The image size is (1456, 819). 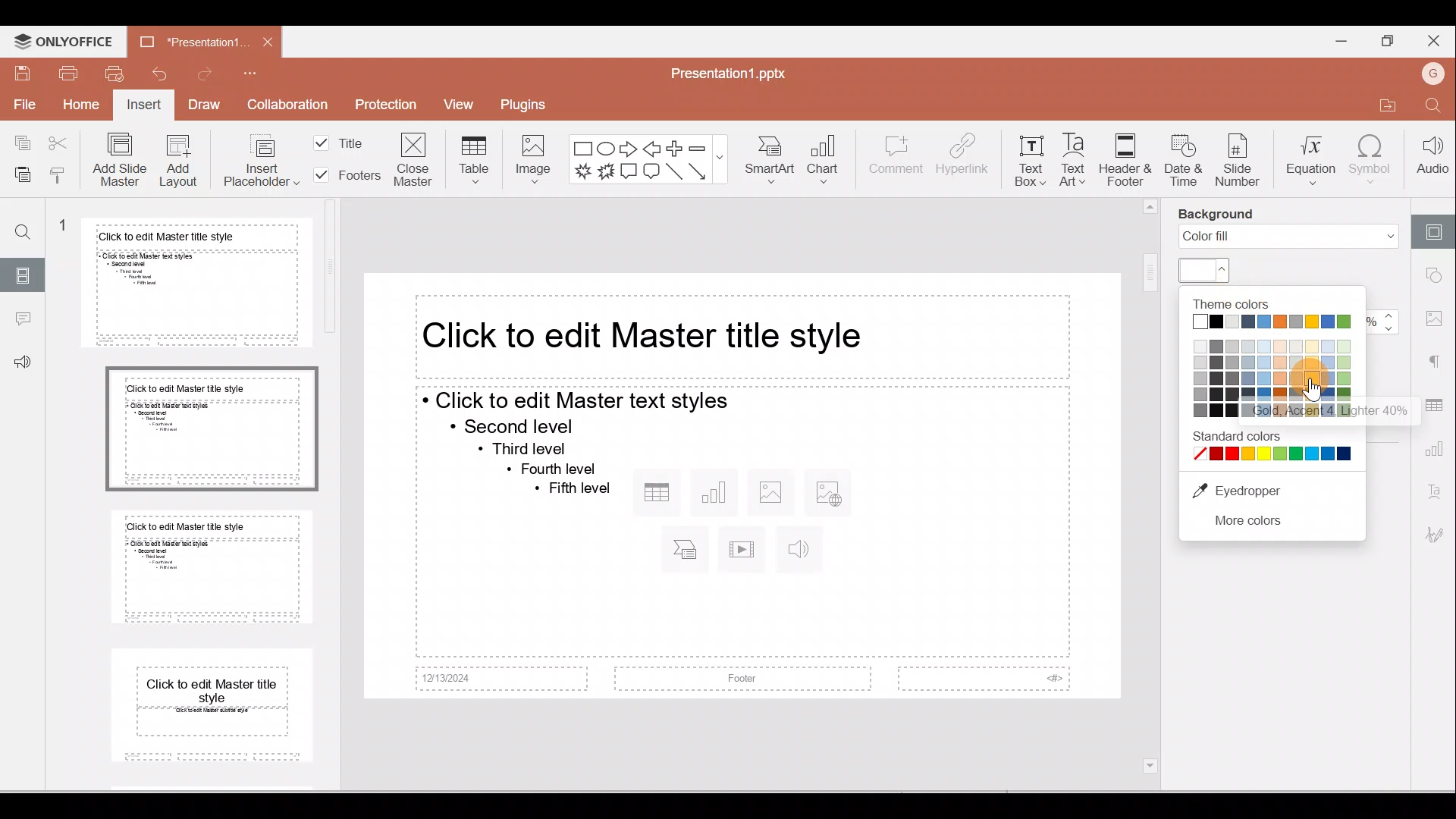 I want to click on Background, so click(x=1219, y=214).